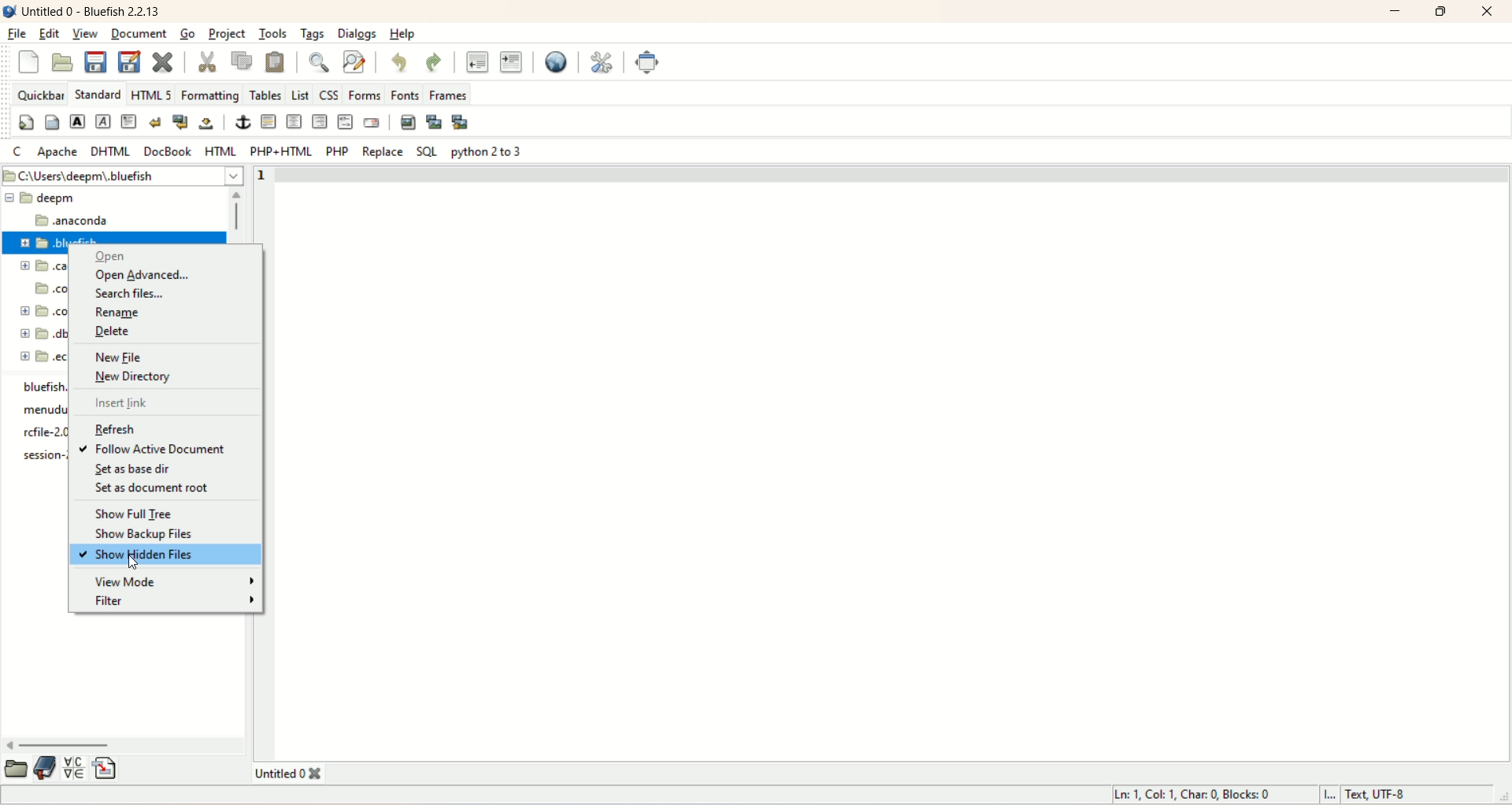  Describe the element at coordinates (486, 150) in the screenshot. I see `python 2 to 3` at that location.